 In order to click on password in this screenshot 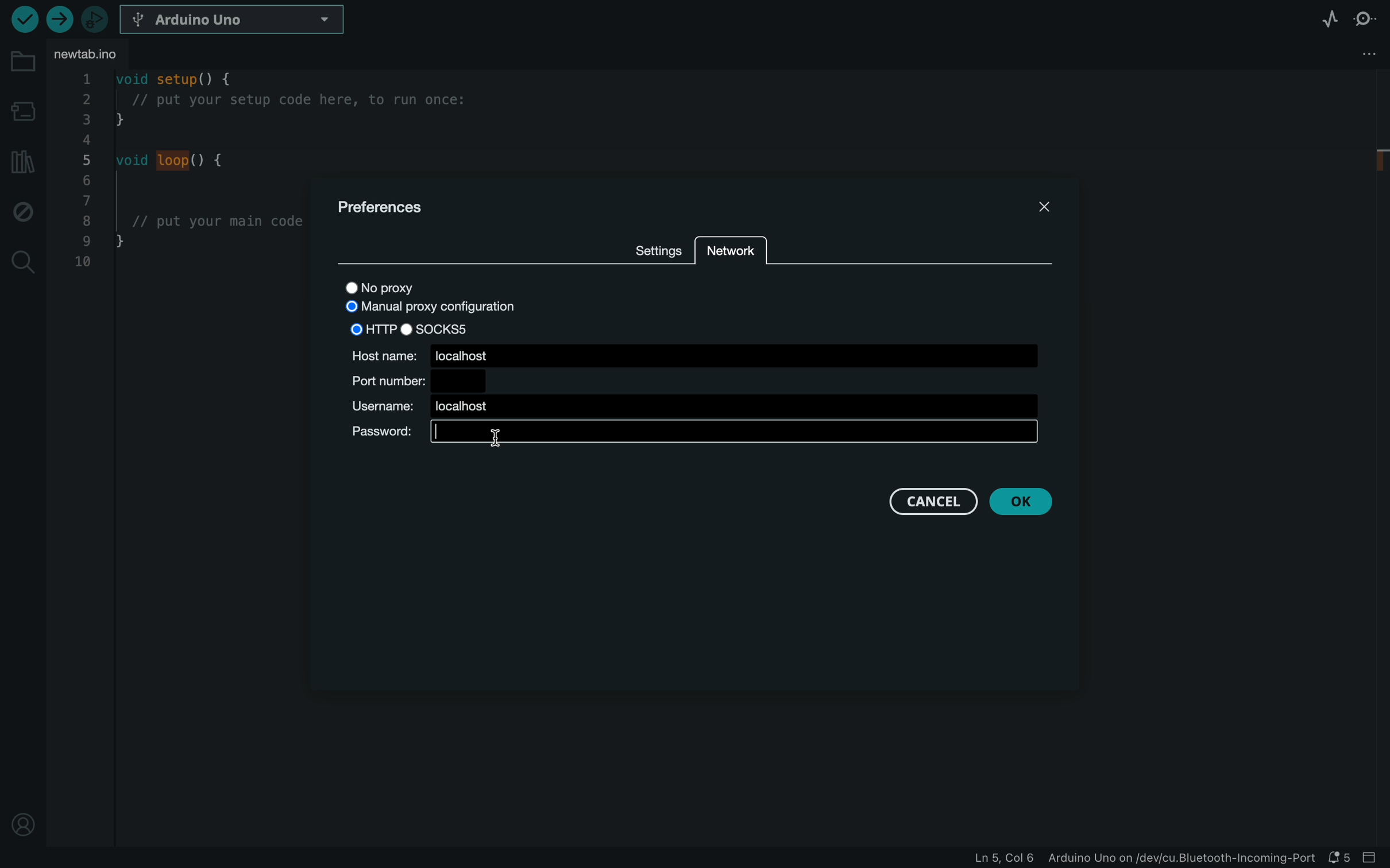, I will do `click(696, 435)`.